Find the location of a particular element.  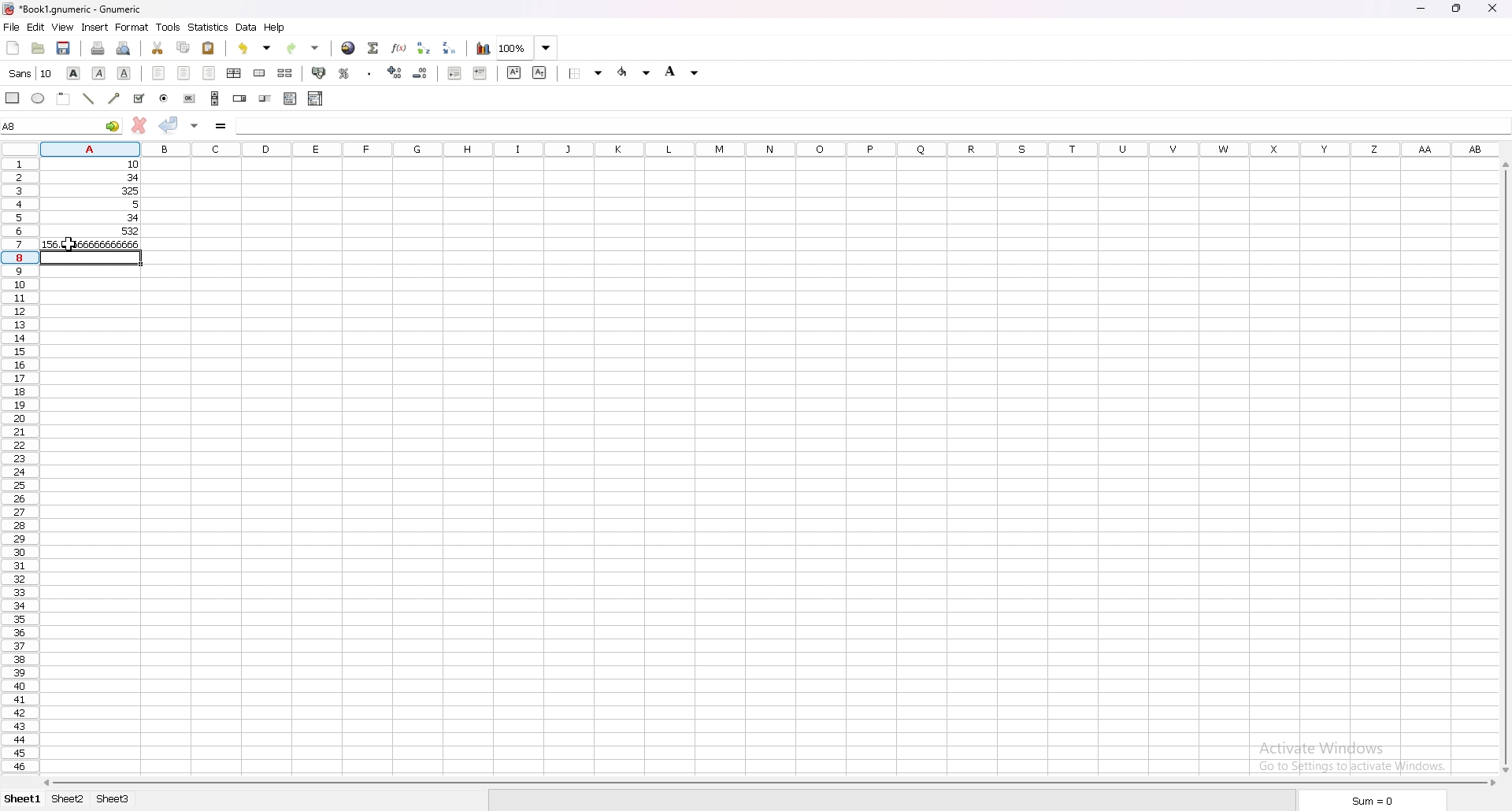

undo is located at coordinates (256, 48).